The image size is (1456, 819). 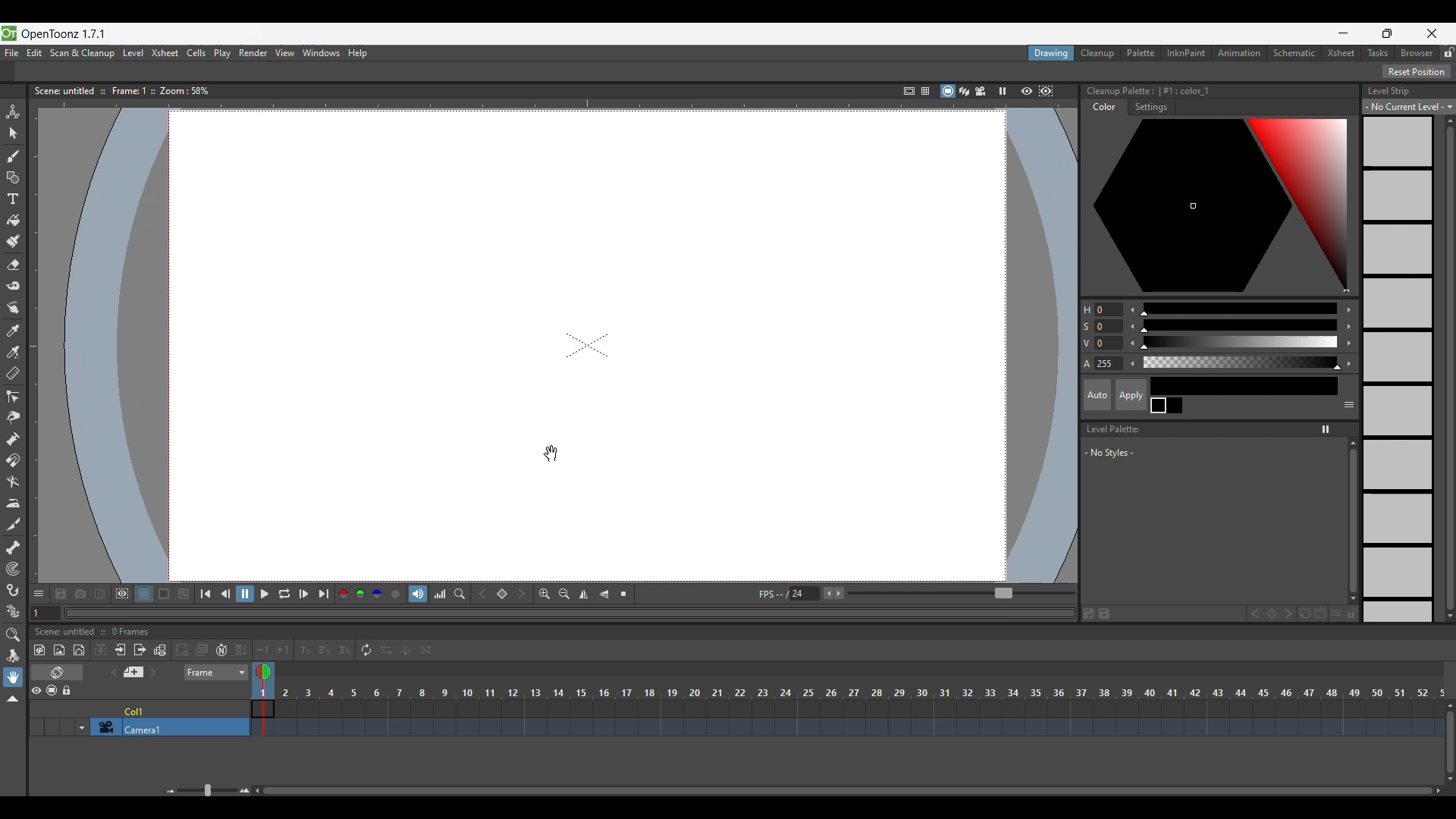 I want to click on Click to select camera, so click(x=140, y=728).